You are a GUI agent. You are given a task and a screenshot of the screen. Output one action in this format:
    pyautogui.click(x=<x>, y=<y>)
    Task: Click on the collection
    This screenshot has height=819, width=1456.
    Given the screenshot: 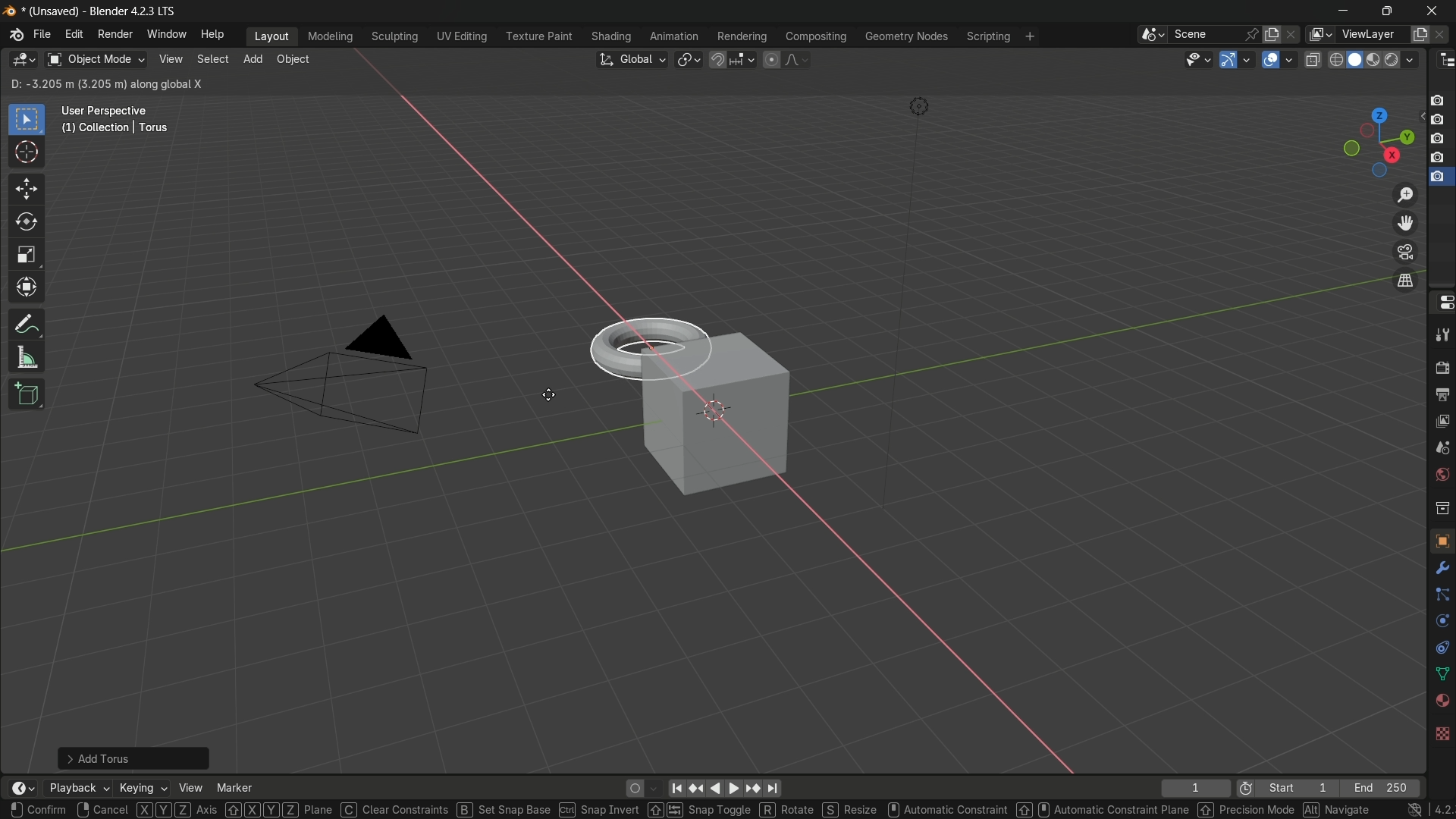 What is the action you would take?
    pyautogui.click(x=1441, y=507)
    